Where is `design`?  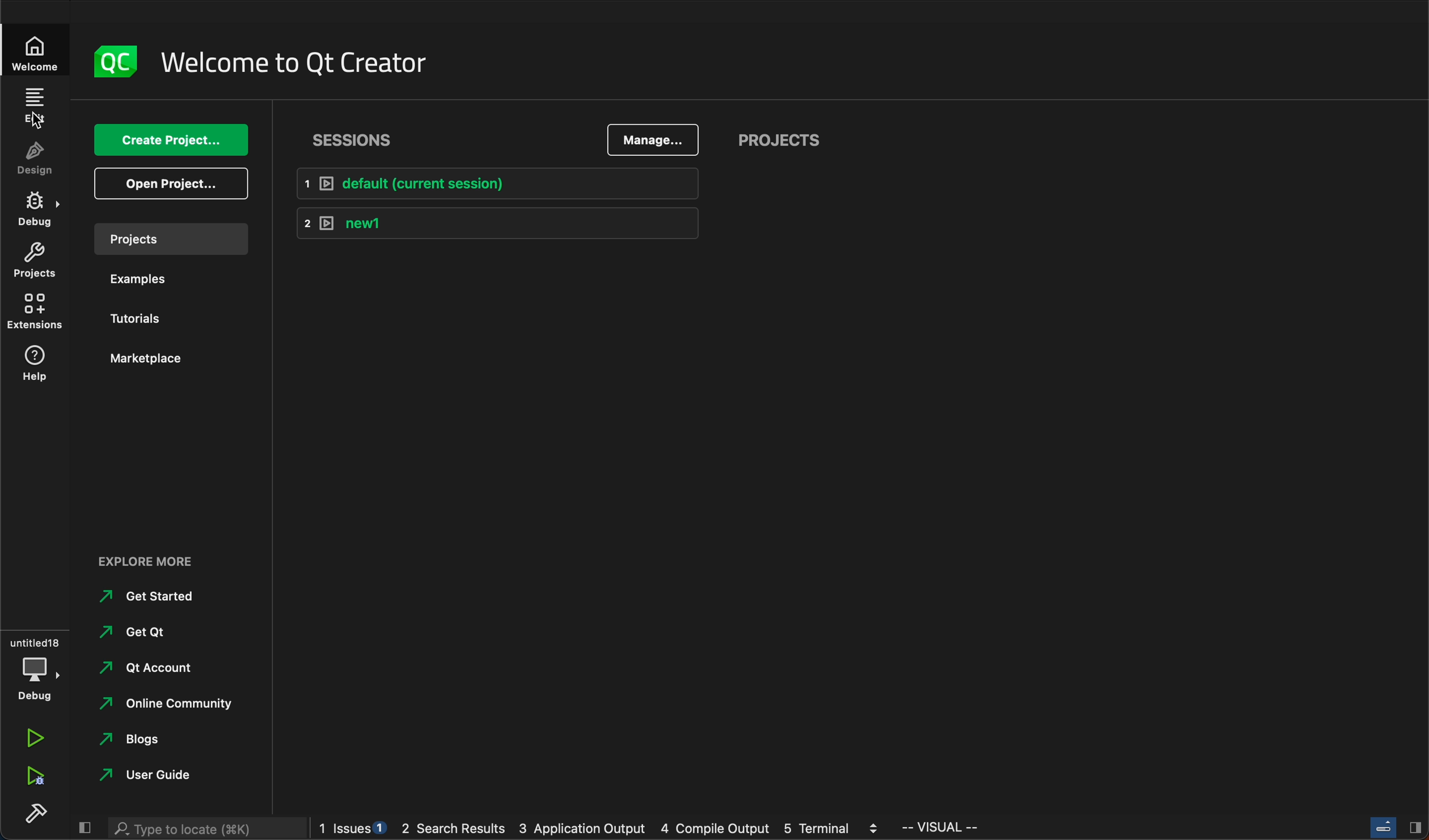 design is located at coordinates (37, 162).